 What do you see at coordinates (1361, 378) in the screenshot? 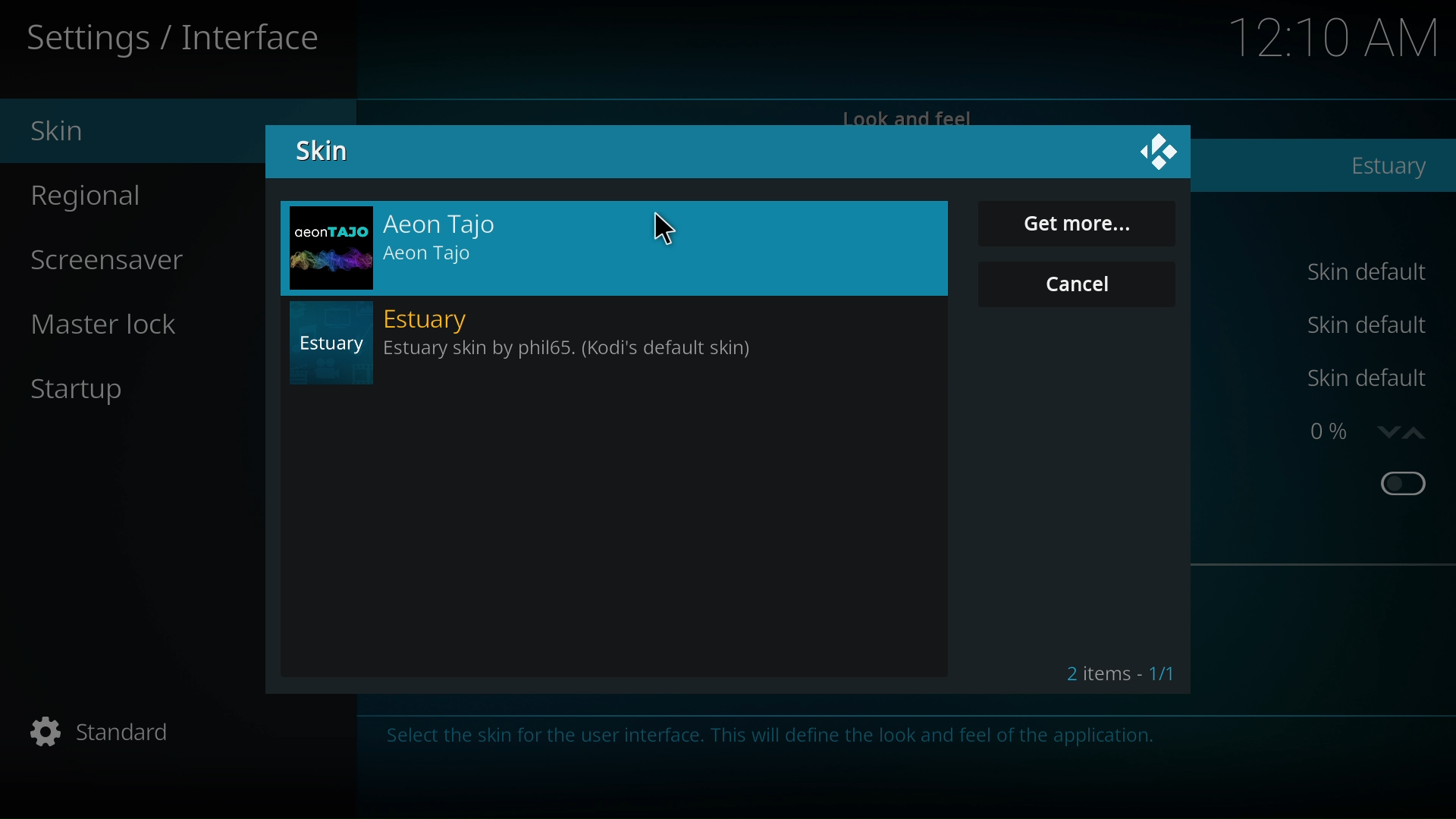
I see `Skin default` at bounding box center [1361, 378].